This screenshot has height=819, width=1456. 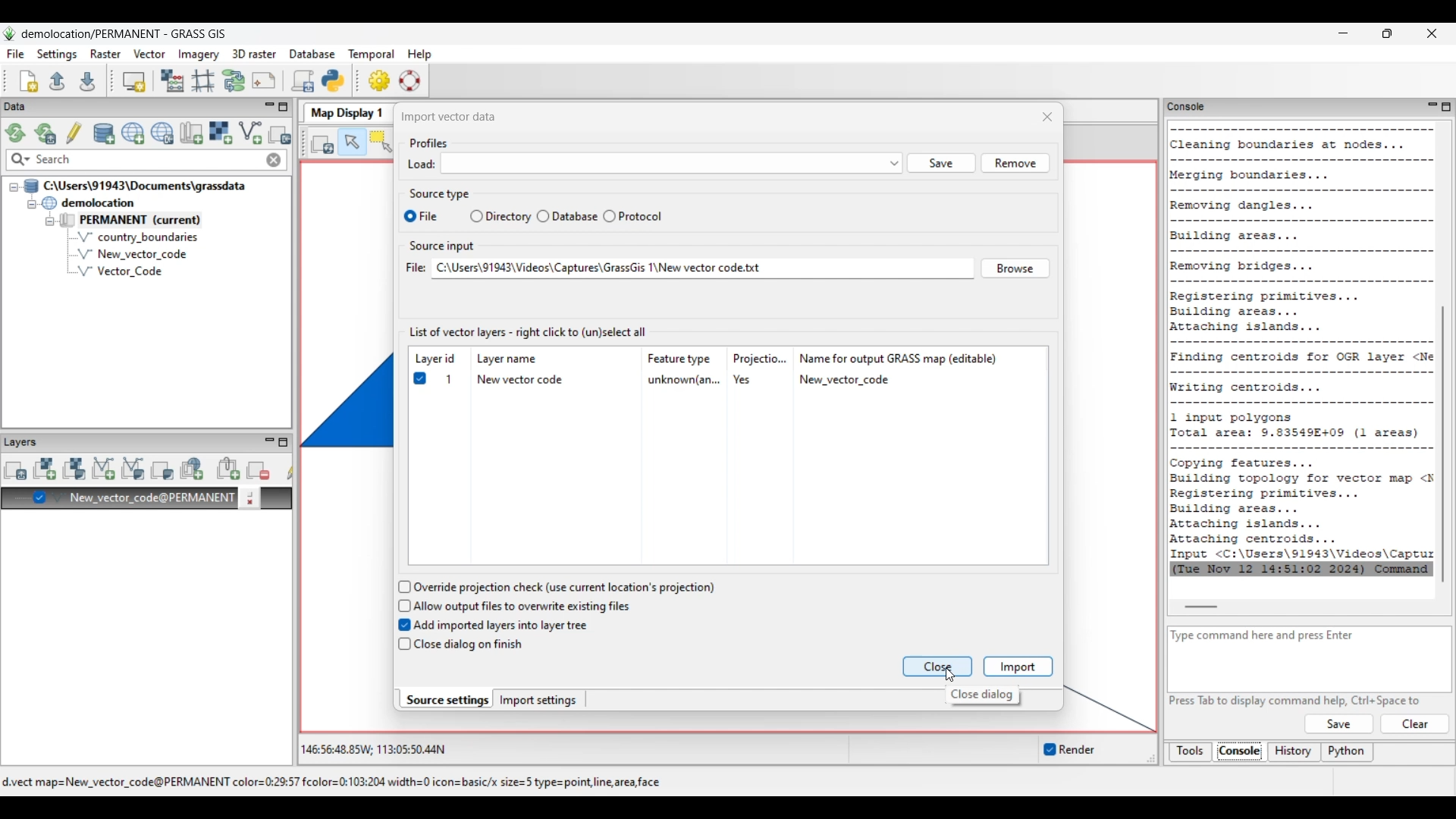 What do you see at coordinates (105, 134) in the screenshot?
I see `Add existing or create new database` at bounding box center [105, 134].